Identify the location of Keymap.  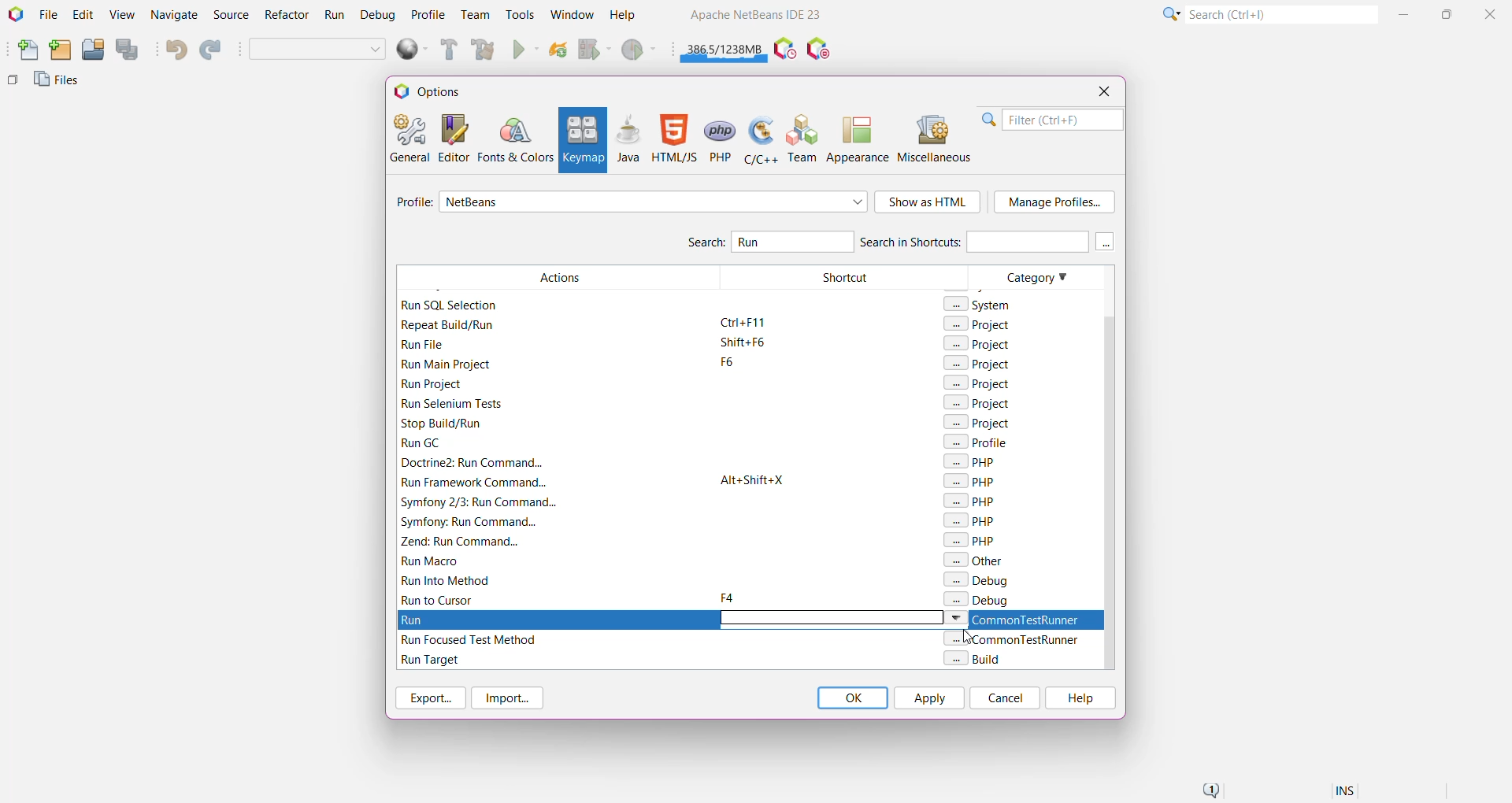
(581, 140).